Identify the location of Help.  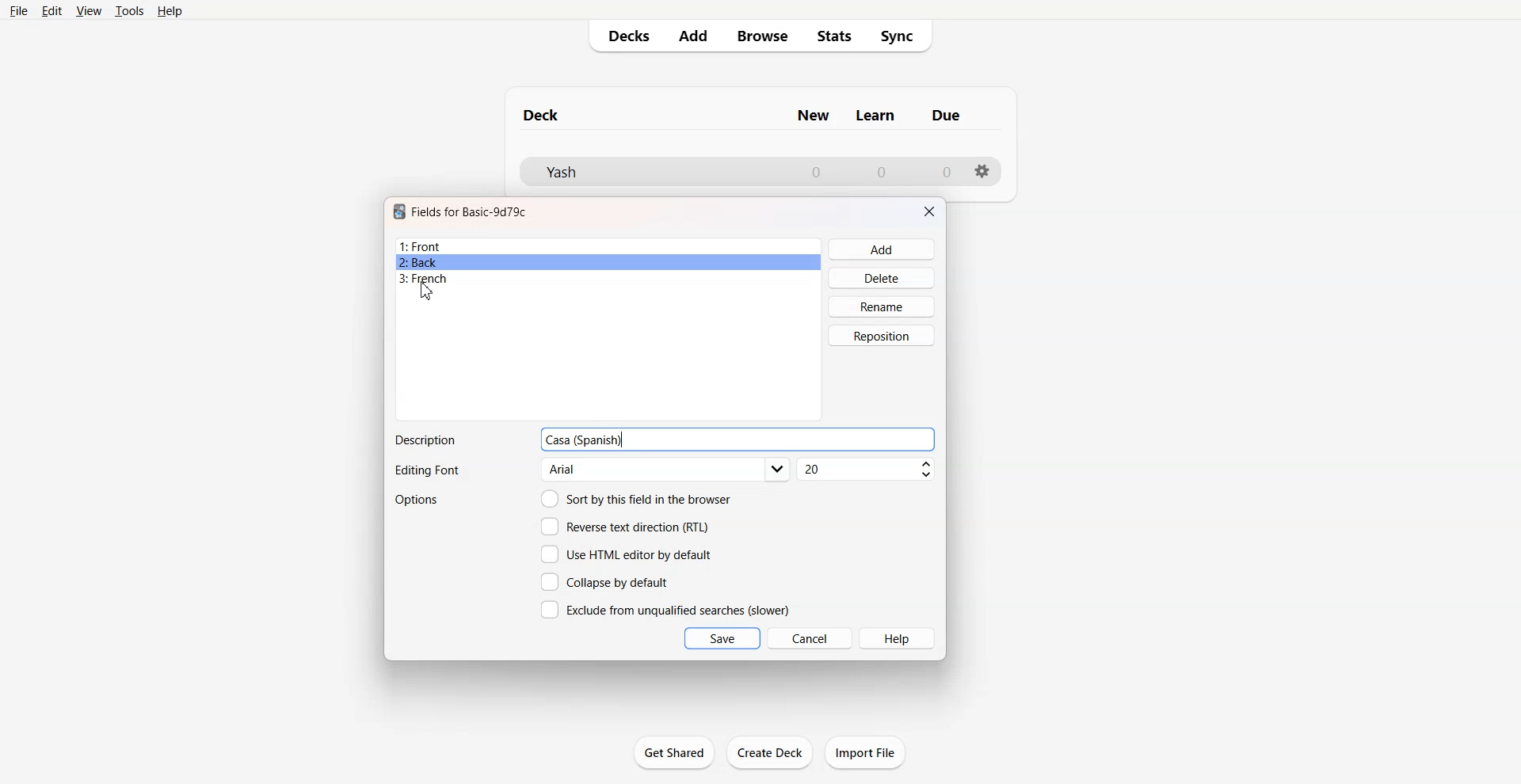
(170, 11).